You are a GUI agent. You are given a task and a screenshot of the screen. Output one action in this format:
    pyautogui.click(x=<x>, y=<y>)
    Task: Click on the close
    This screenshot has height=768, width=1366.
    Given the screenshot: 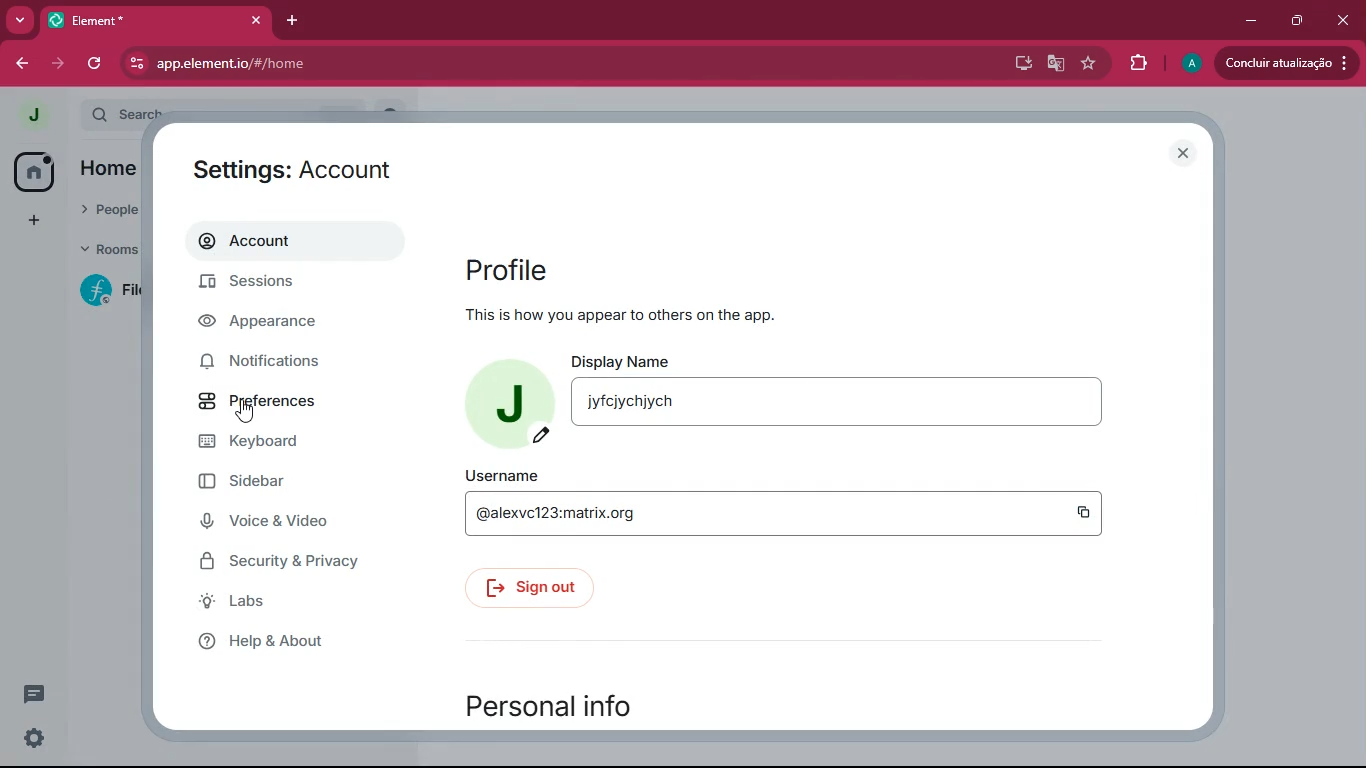 What is the action you would take?
    pyautogui.click(x=1343, y=19)
    